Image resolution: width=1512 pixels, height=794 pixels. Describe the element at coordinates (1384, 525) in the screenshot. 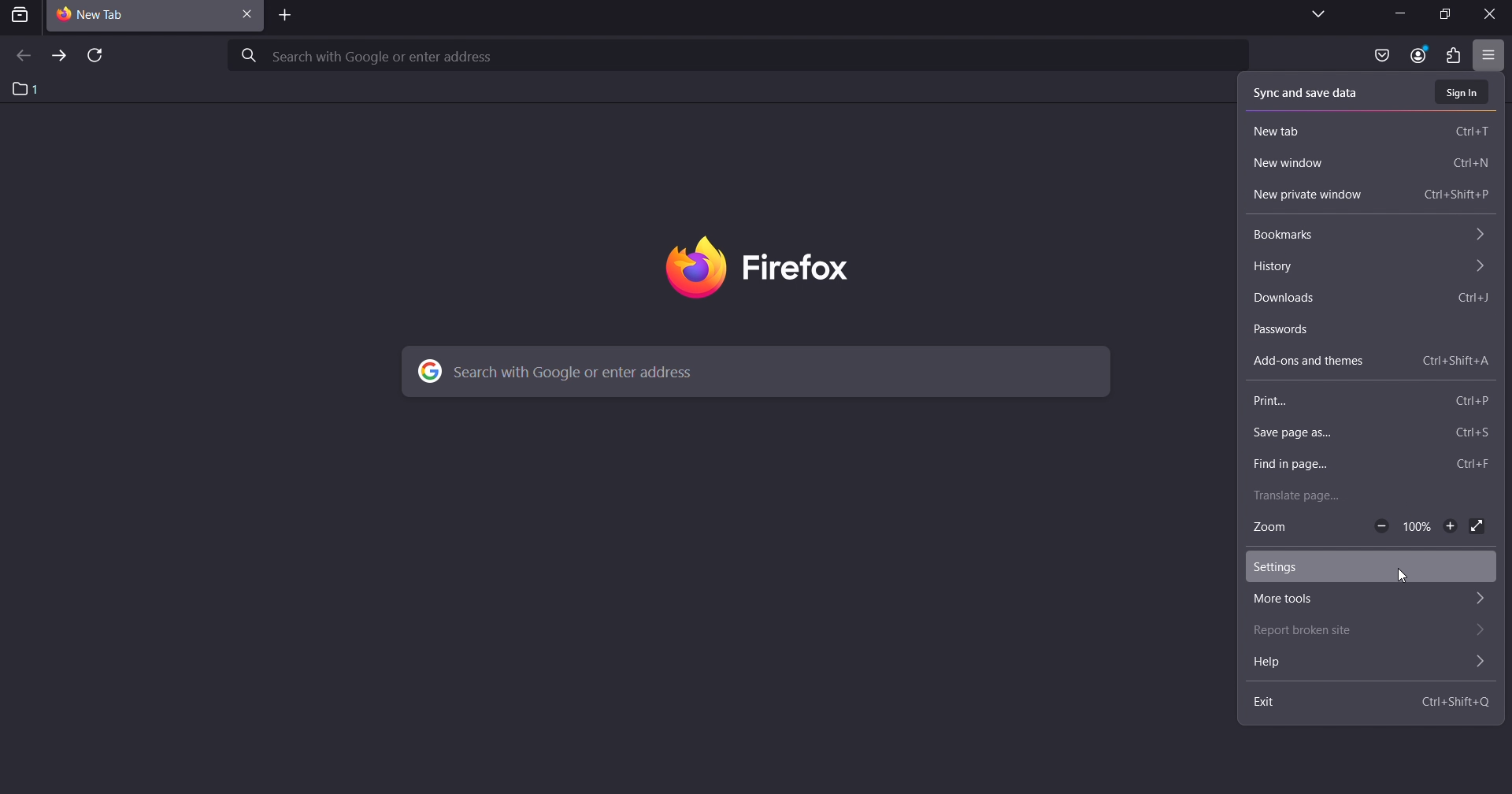

I see `zoom out` at that location.